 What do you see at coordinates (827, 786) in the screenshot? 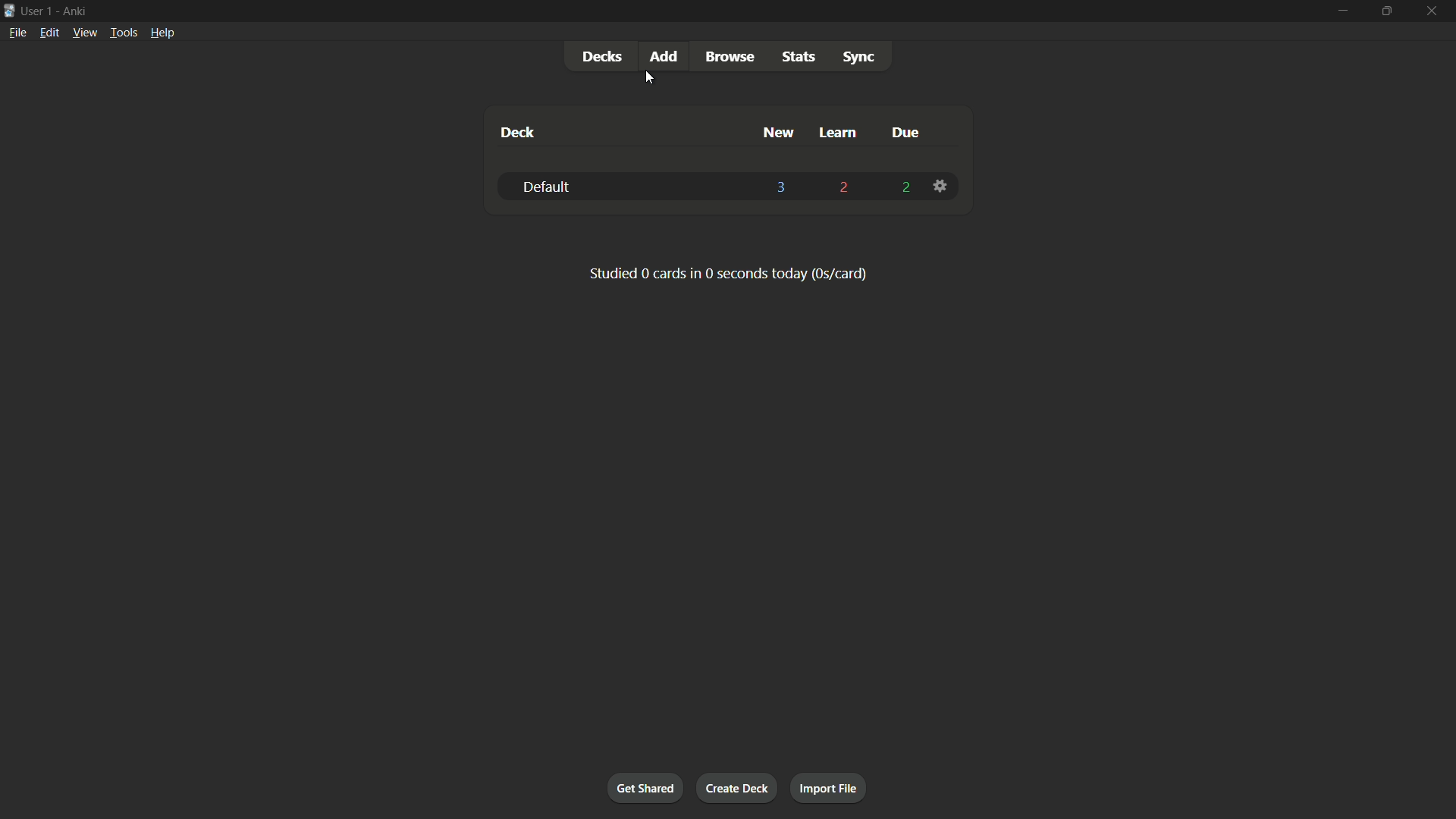
I see `import file` at bounding box center [827, 786].